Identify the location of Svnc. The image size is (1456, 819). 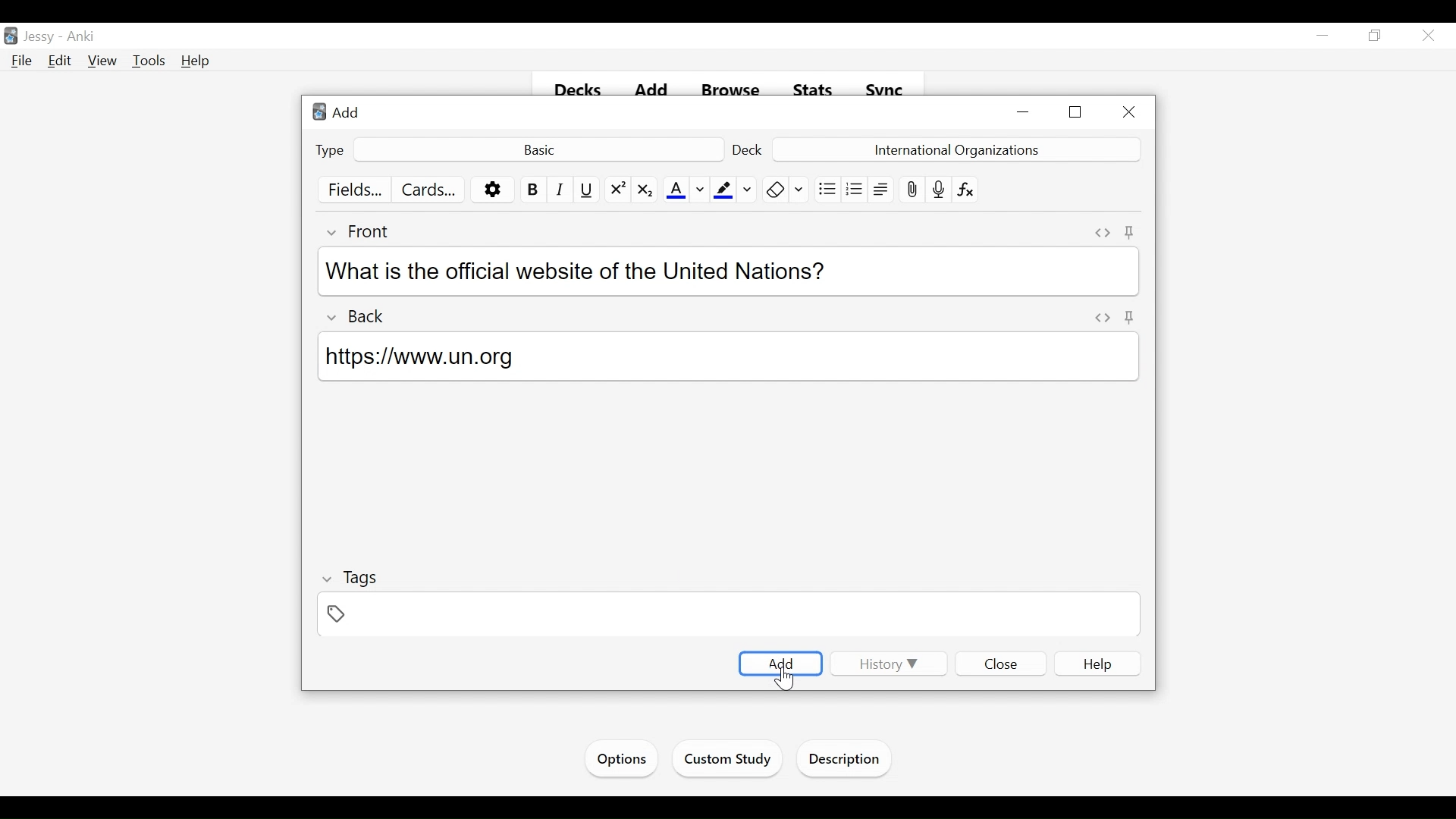
(880, 86).